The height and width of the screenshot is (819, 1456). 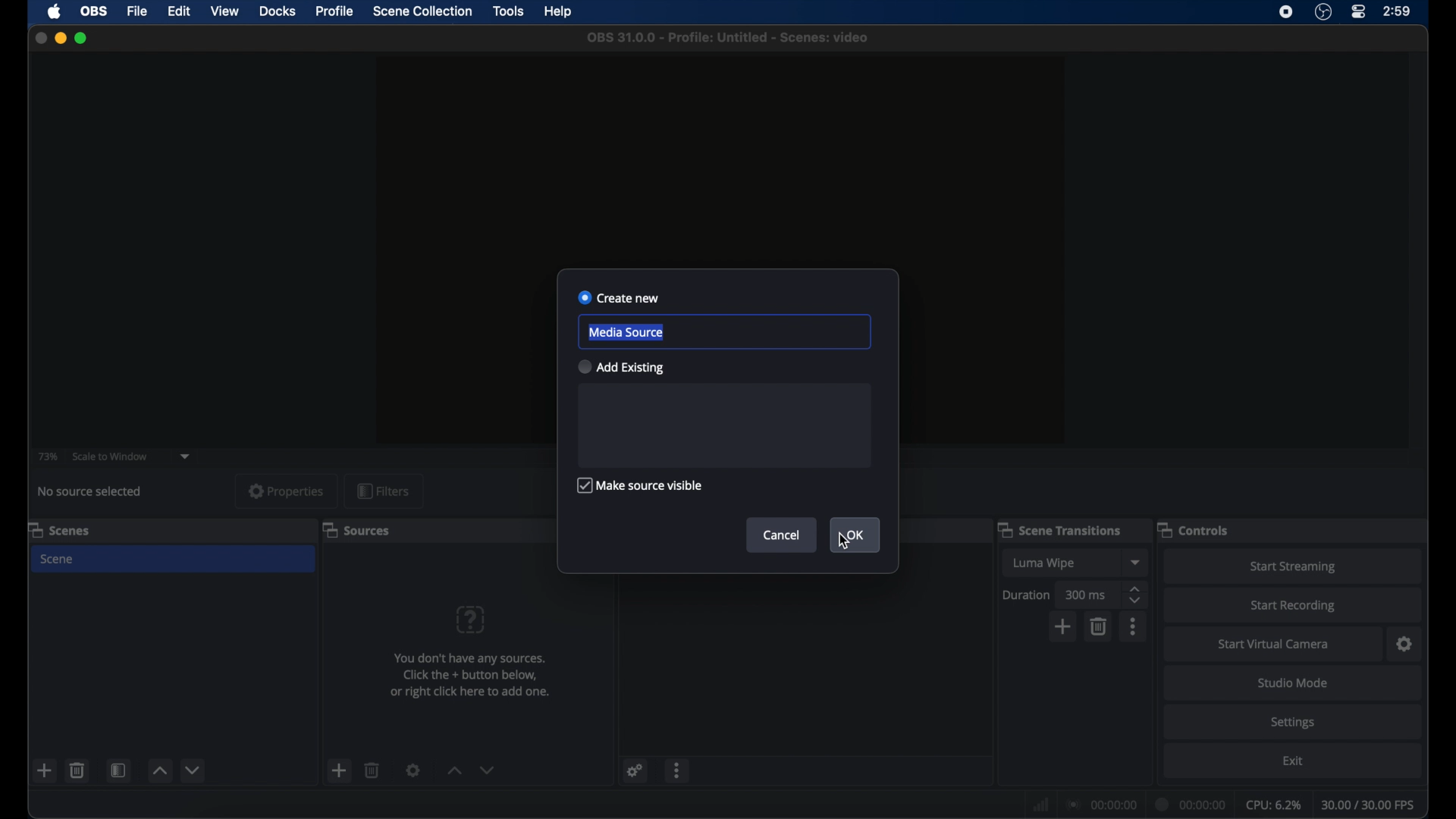 What do you see at coordinates (372, 770) in the screenshot?
I see `delete` at bounding box center [372, 770].